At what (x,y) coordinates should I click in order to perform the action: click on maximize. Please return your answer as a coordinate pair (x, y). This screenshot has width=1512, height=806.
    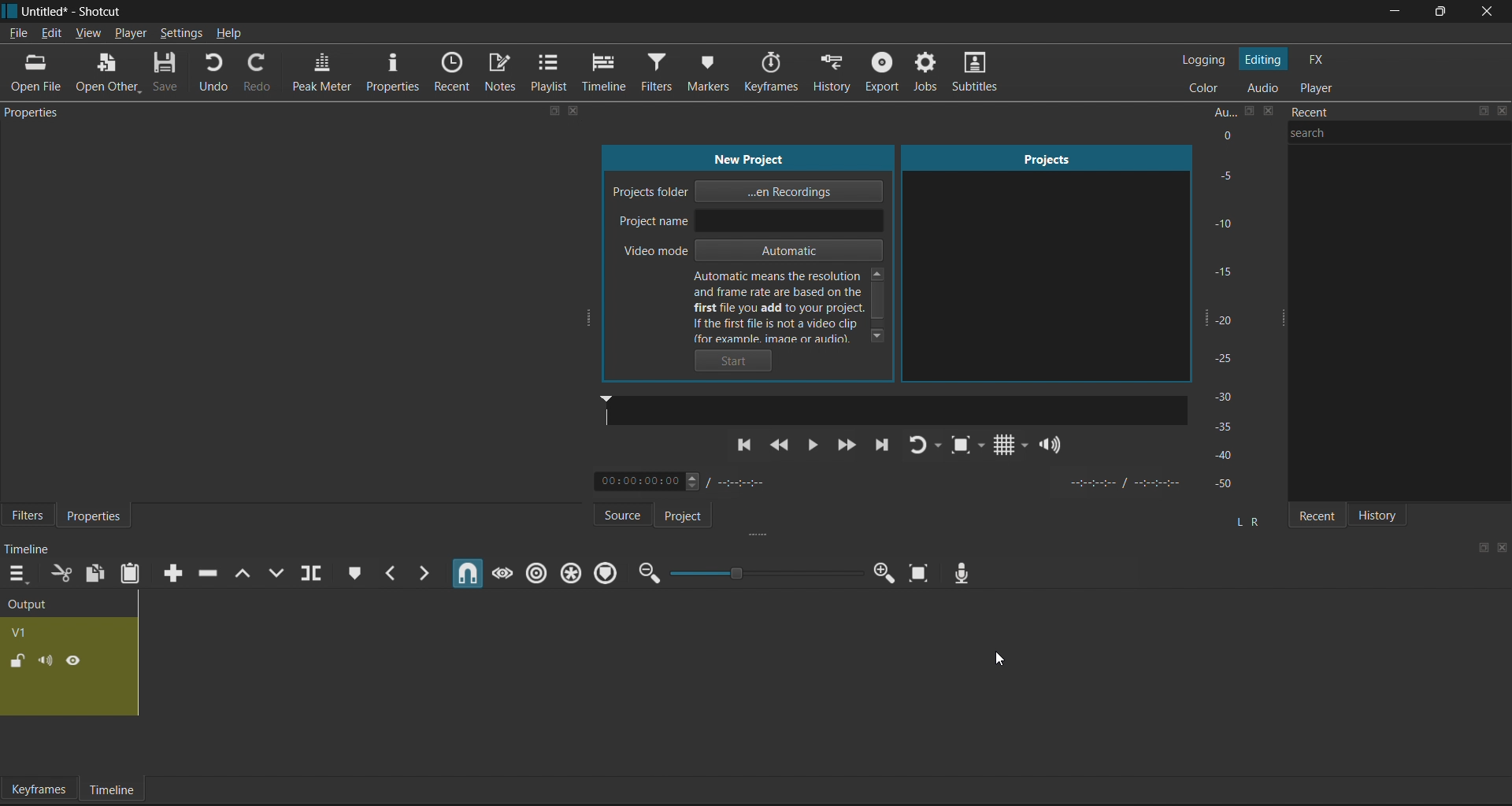
    Looking at the image, I should click on (1484, 113).